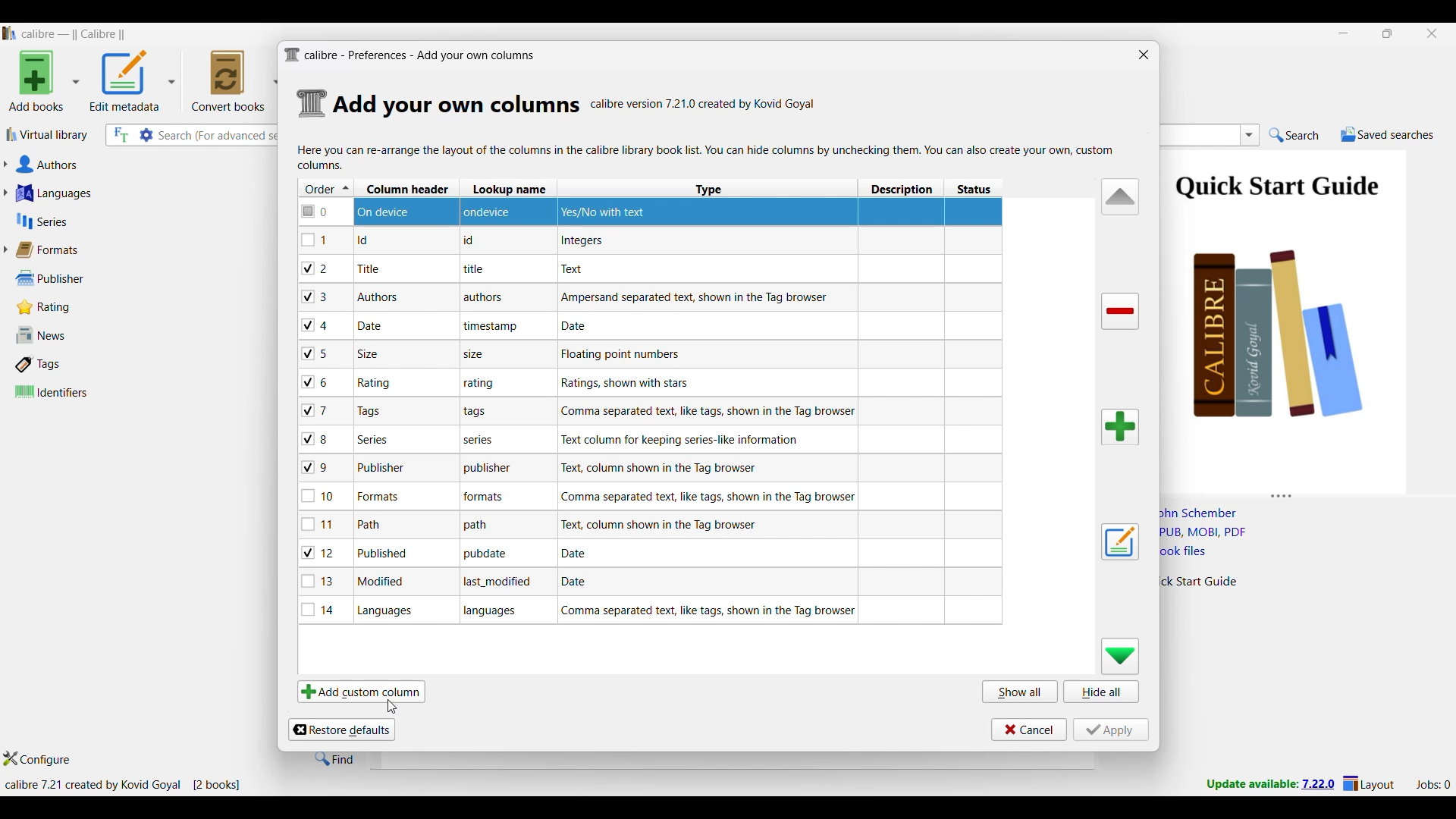 The width and height of the screenshot is (1456, 819). Describe the element at coordinates (704, 609) in the screenshot. I see `Explanation` at that location.